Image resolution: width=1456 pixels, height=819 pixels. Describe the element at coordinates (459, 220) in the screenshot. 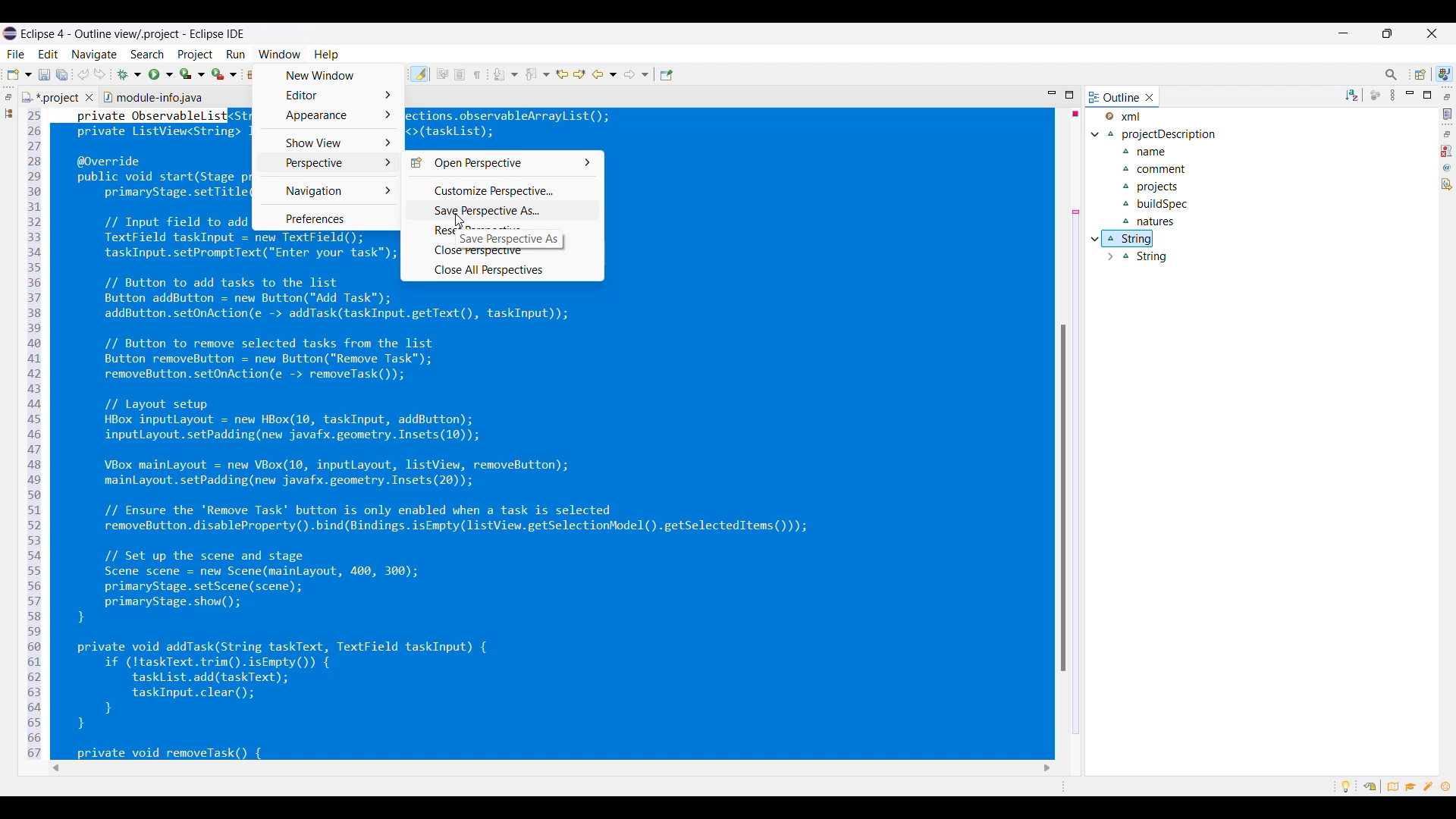

I see `Cursor clicking on Save Perspective as` at that location.